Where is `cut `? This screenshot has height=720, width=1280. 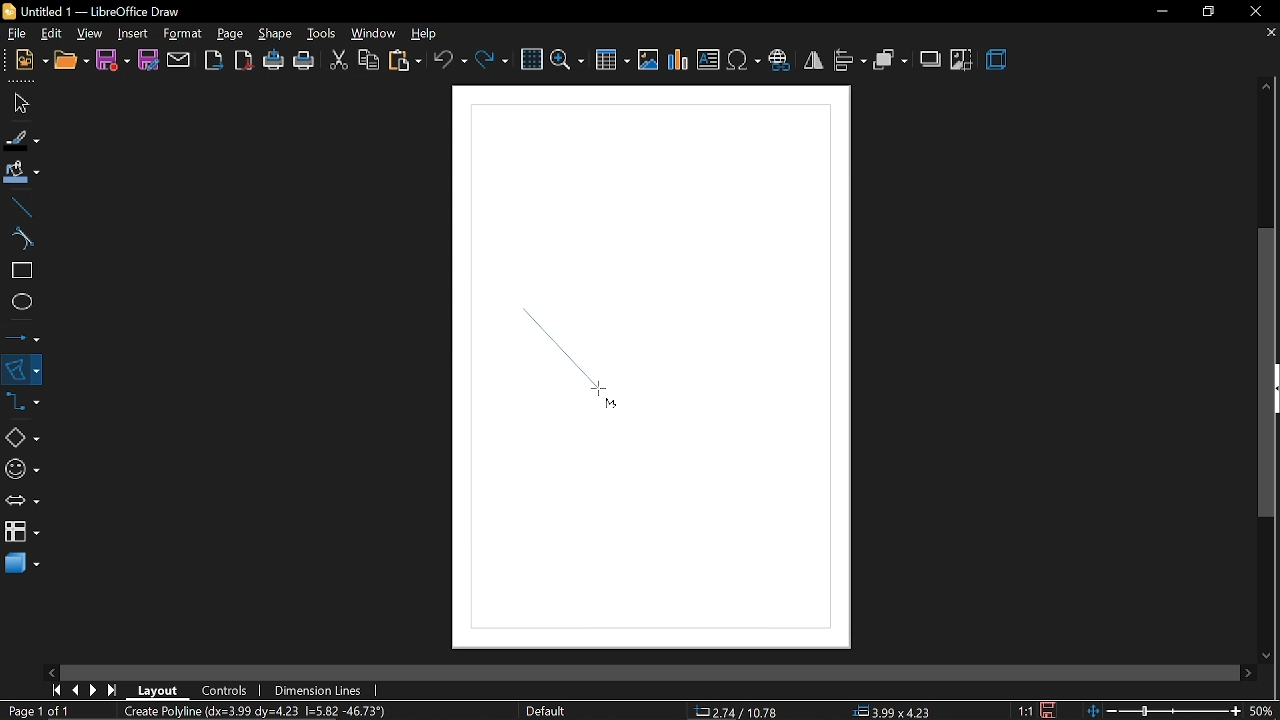 cut  is located at coordinates (338, 58).